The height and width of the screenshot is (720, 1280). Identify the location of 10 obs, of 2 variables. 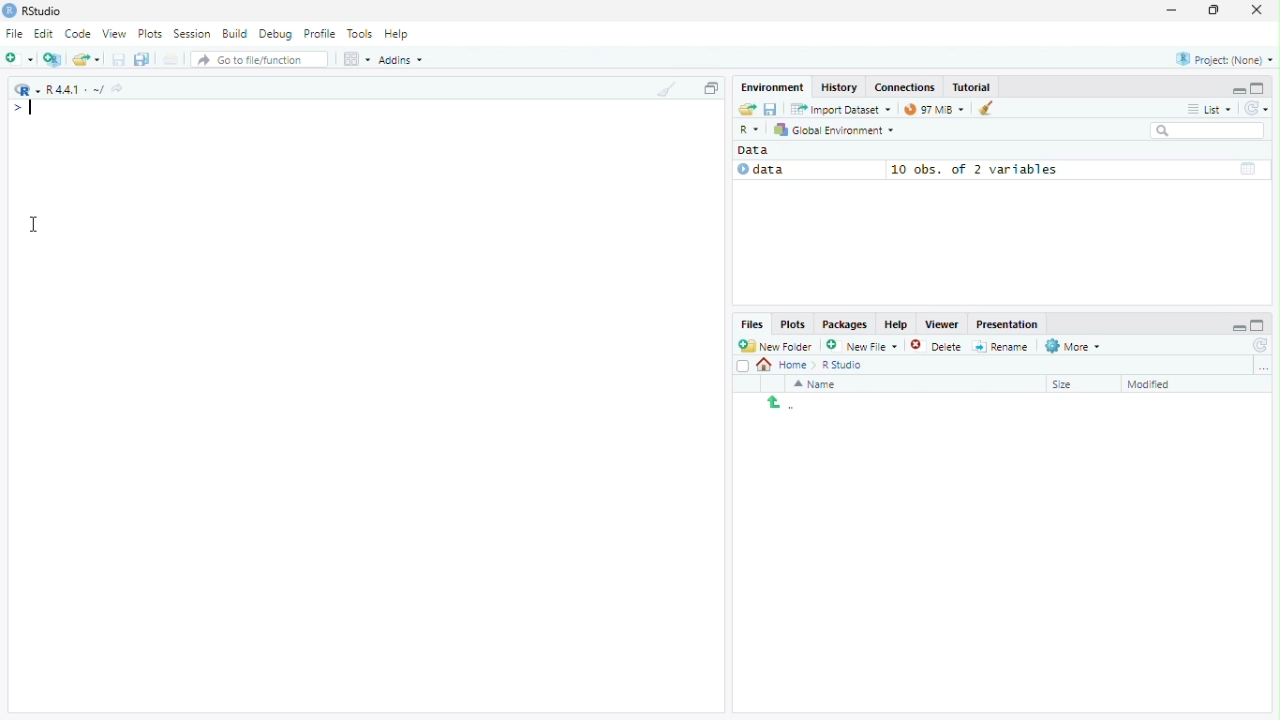
(1077, 169).